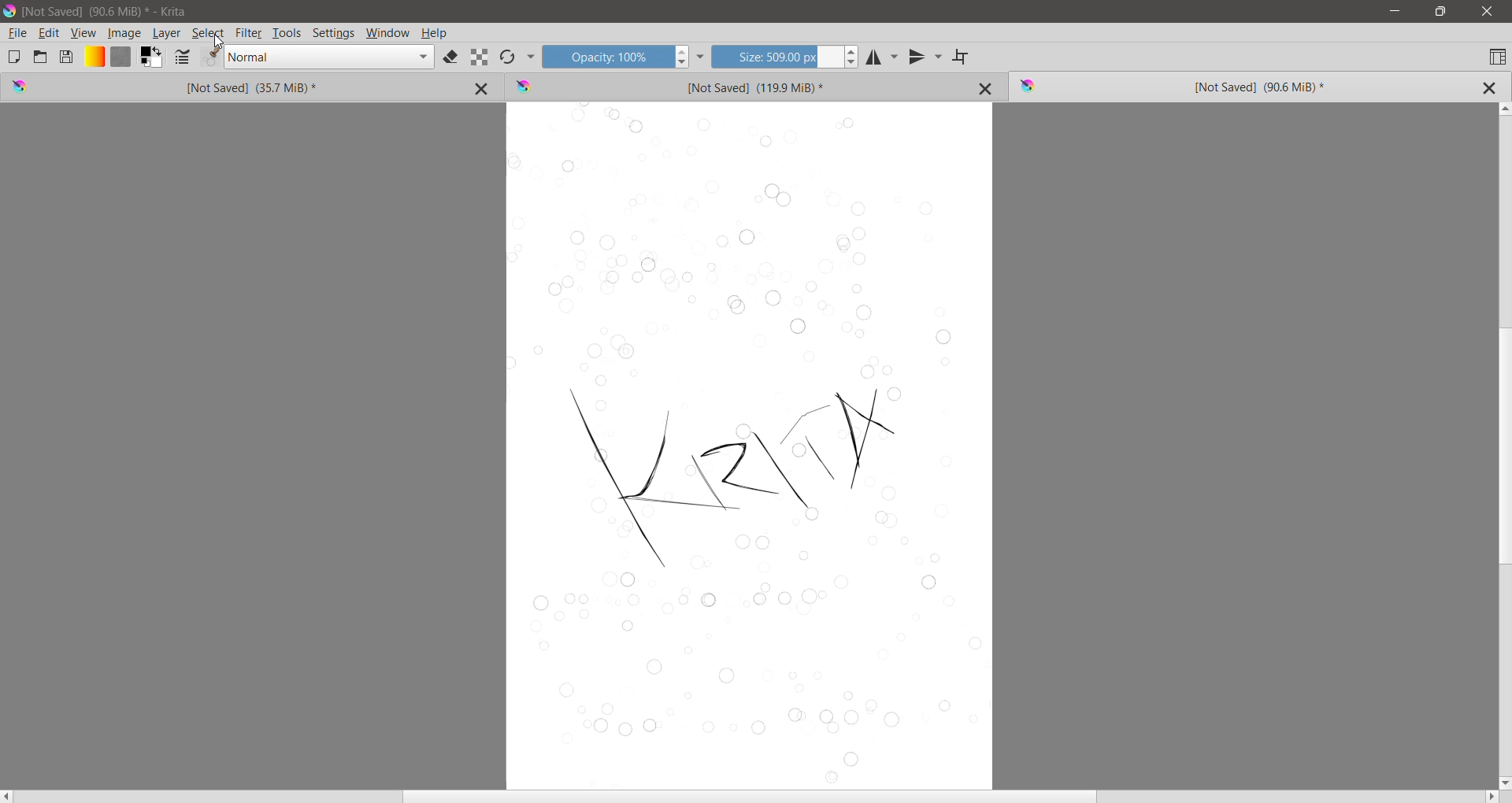  I want to click on Choose Workspace, so click(1497, 56).